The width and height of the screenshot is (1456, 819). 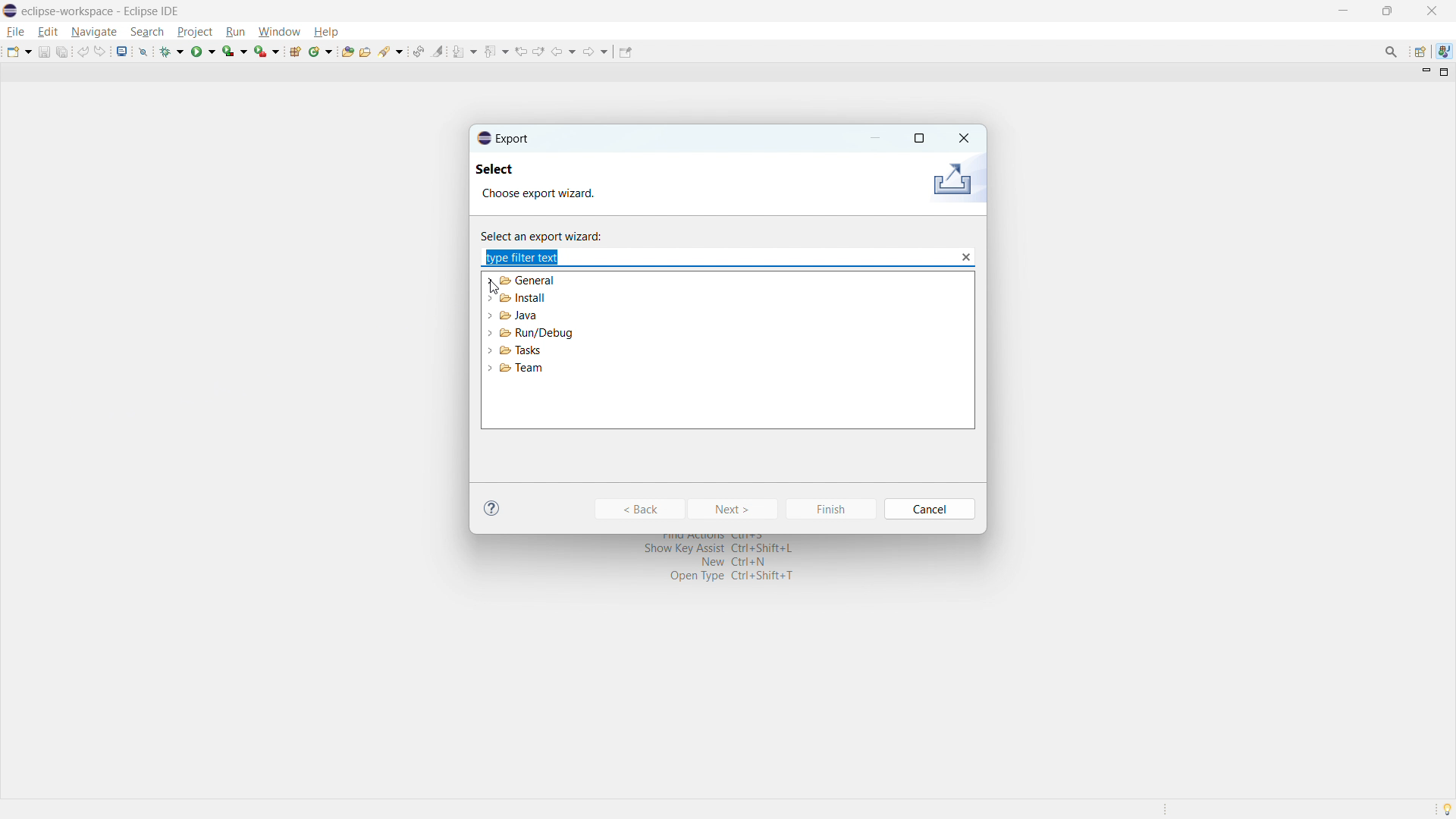 What do you see at coordinates (830, 509) in the screenshot?
I see `finish` at bounding box center [830, 509].